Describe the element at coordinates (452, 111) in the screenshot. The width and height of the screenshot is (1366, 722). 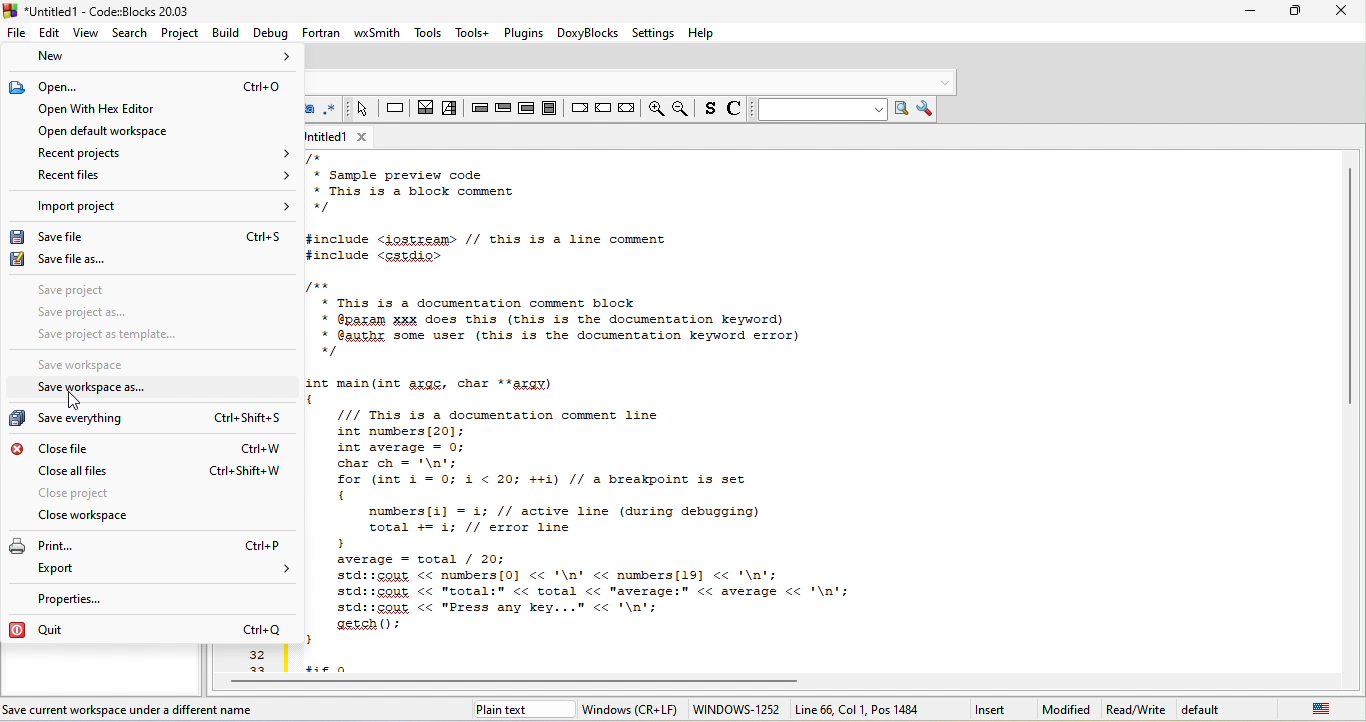
I see `selection` at that location.